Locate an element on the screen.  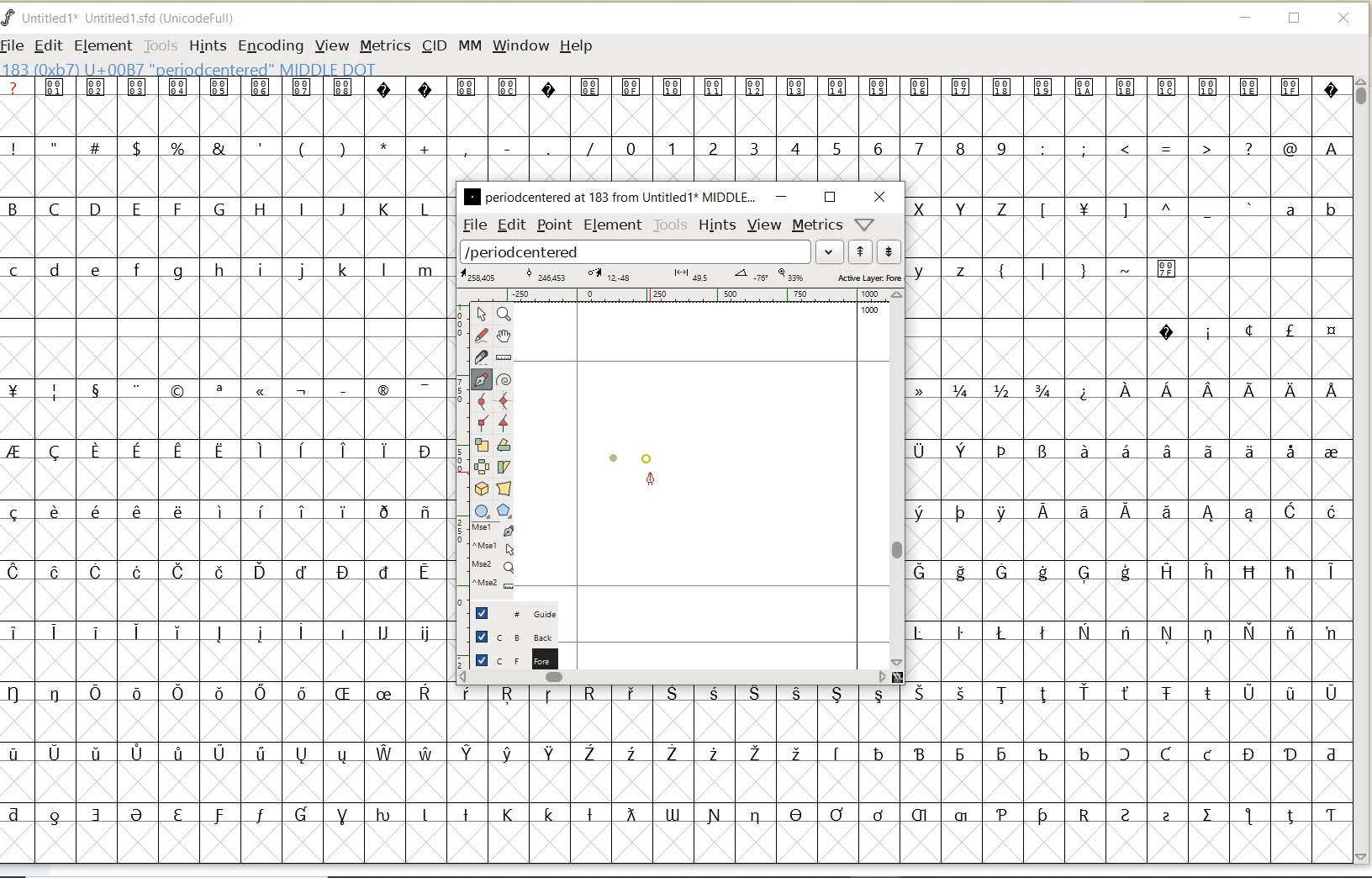
show next word list is located at coordinates (891, 252).